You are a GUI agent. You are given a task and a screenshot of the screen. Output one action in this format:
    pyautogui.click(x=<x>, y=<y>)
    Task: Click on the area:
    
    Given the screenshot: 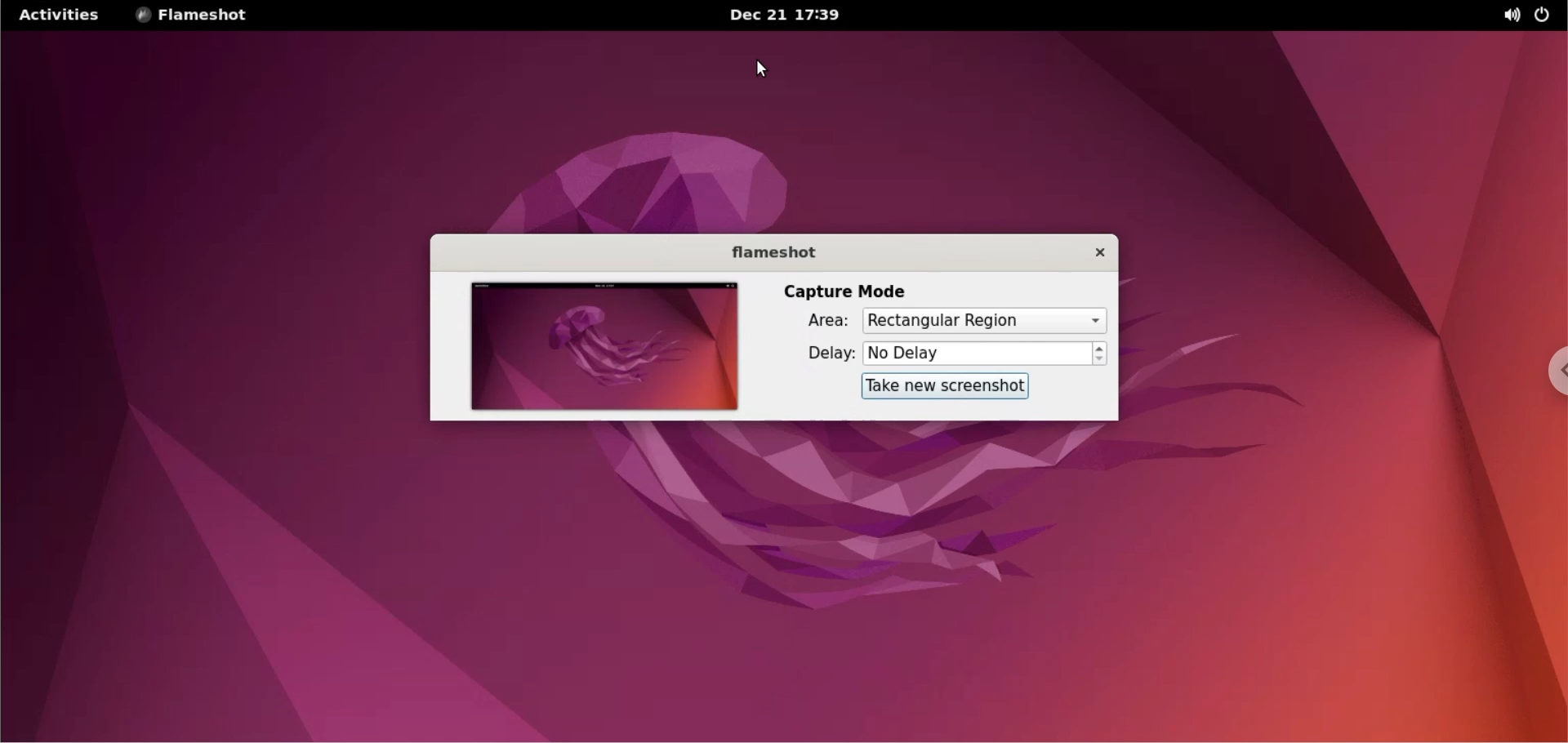 What is the action you would take?
    pyautogui.click(x=816, y=323)
    